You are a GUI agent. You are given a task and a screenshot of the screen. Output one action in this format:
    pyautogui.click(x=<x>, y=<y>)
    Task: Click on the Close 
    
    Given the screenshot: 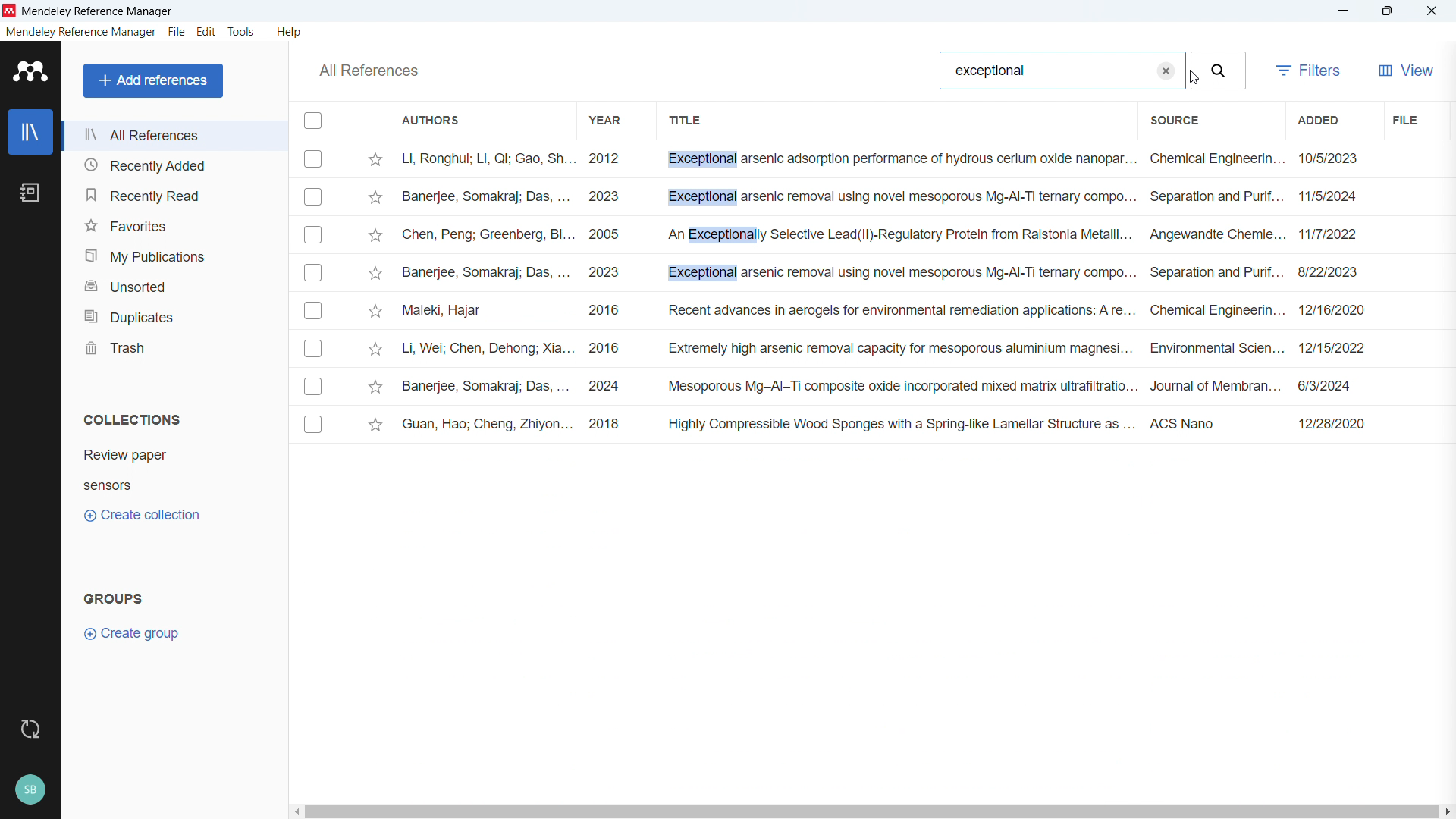 What is the action you would take?
    pyautogui.click(x=1431, y=11)
    